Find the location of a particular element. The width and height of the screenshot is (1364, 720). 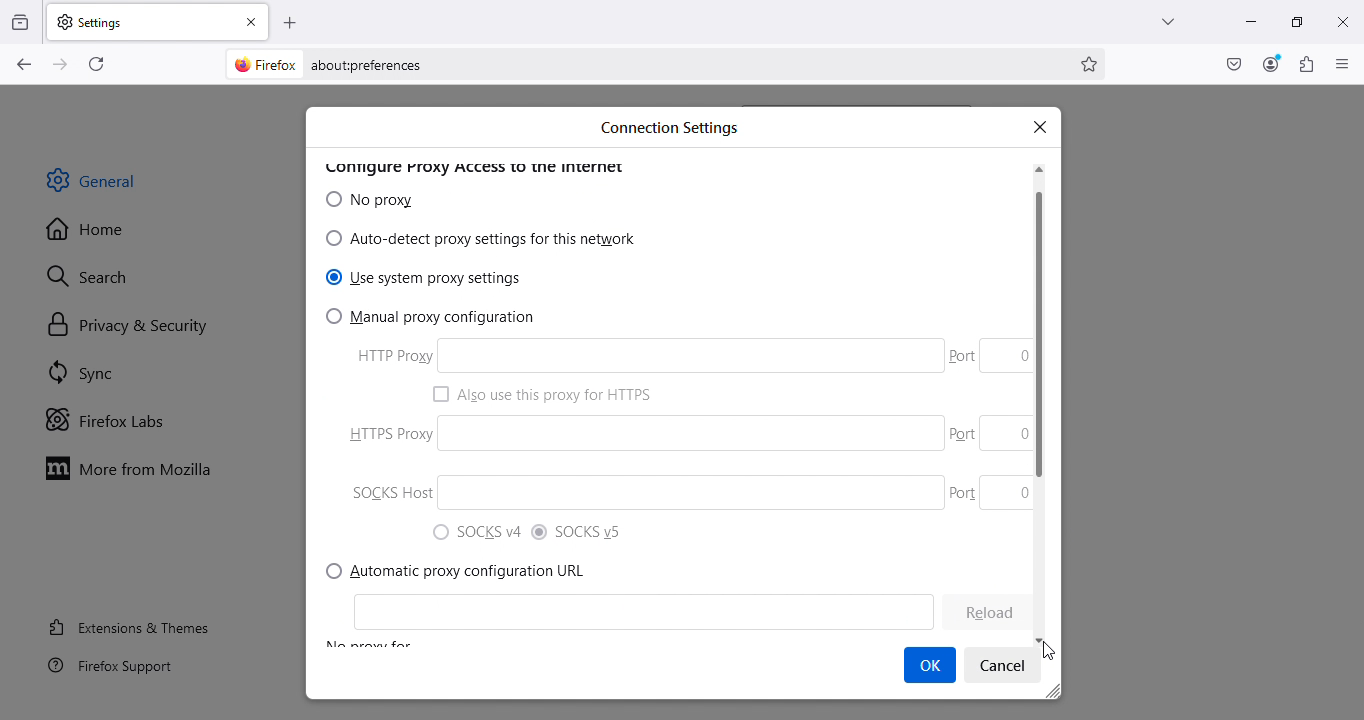

firefox logo is located at coordinates (260, 64).